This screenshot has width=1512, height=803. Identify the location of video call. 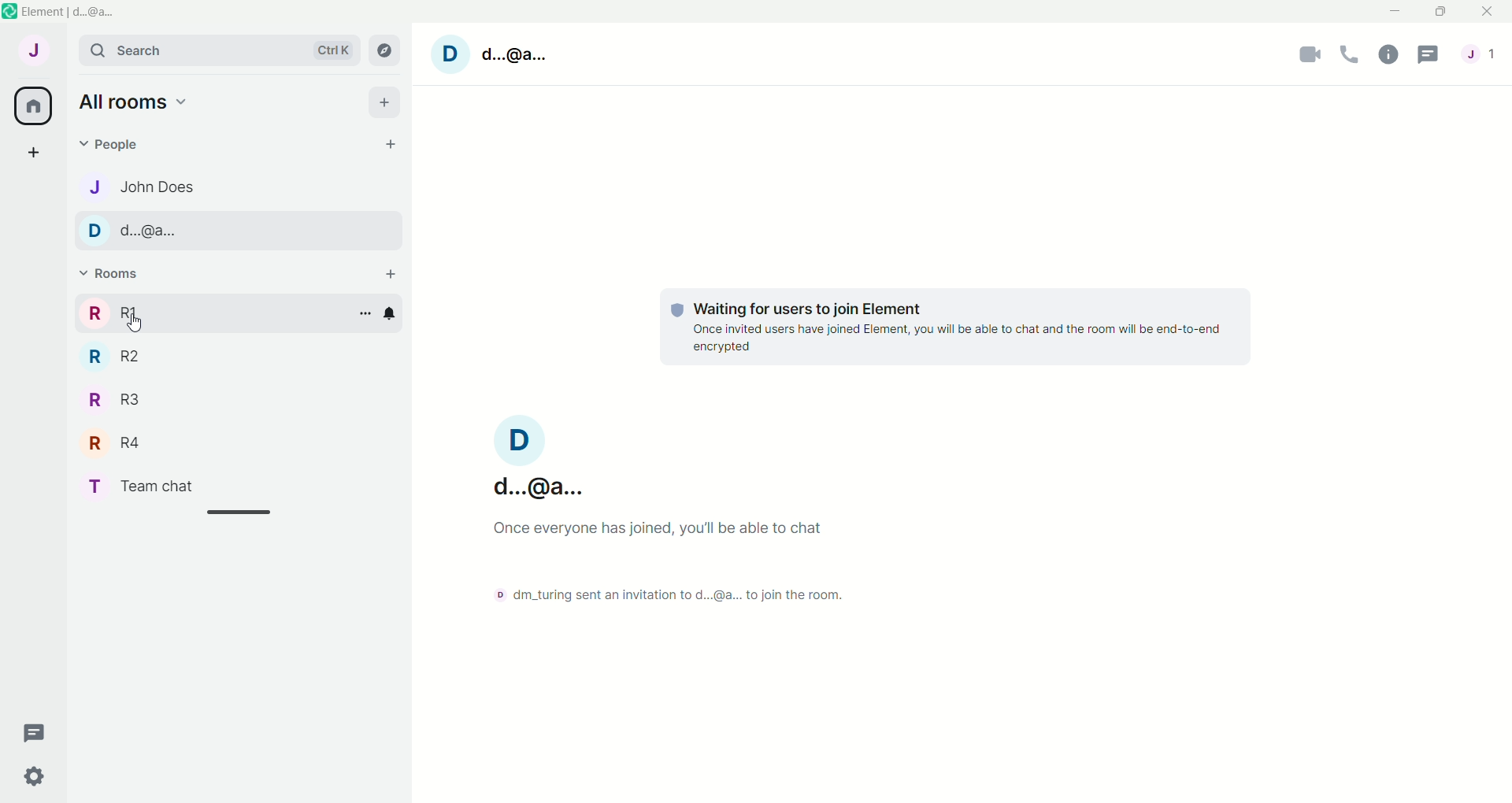
(1308, 56).